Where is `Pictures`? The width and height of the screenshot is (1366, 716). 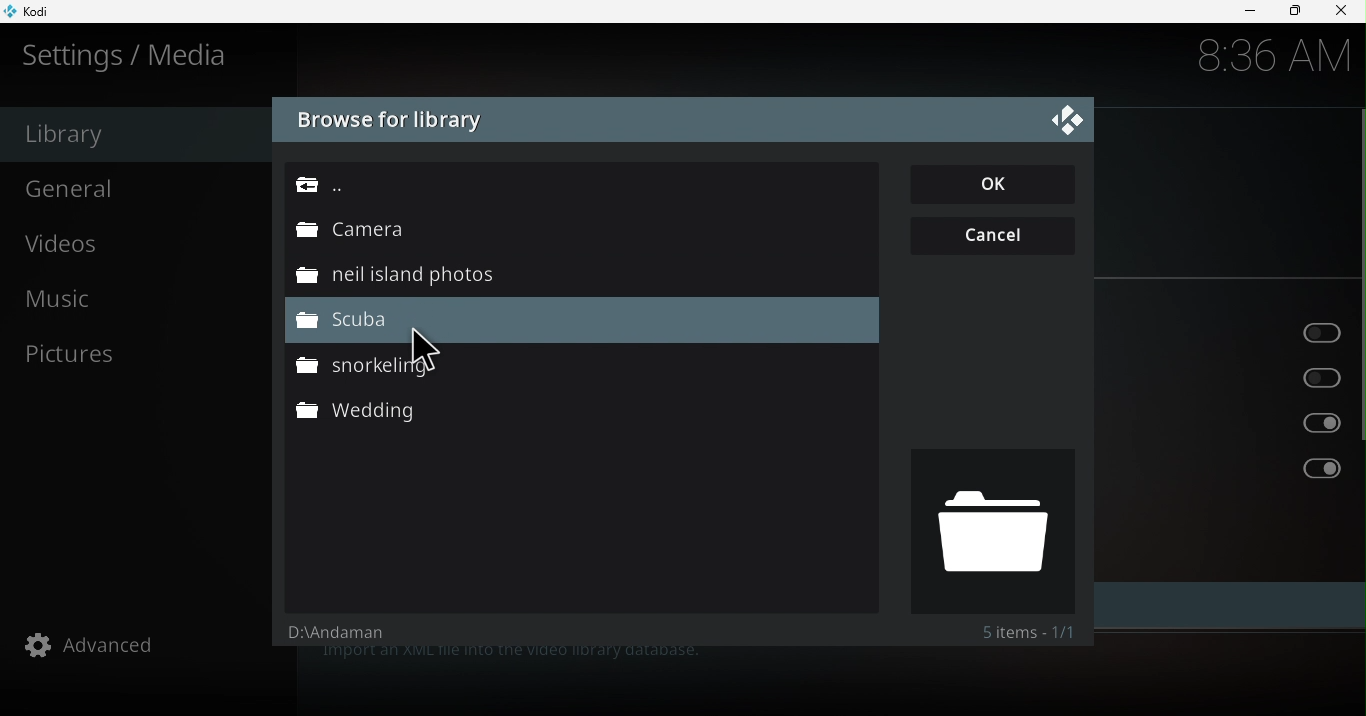
Pictures is located at coordinates (146, 353).